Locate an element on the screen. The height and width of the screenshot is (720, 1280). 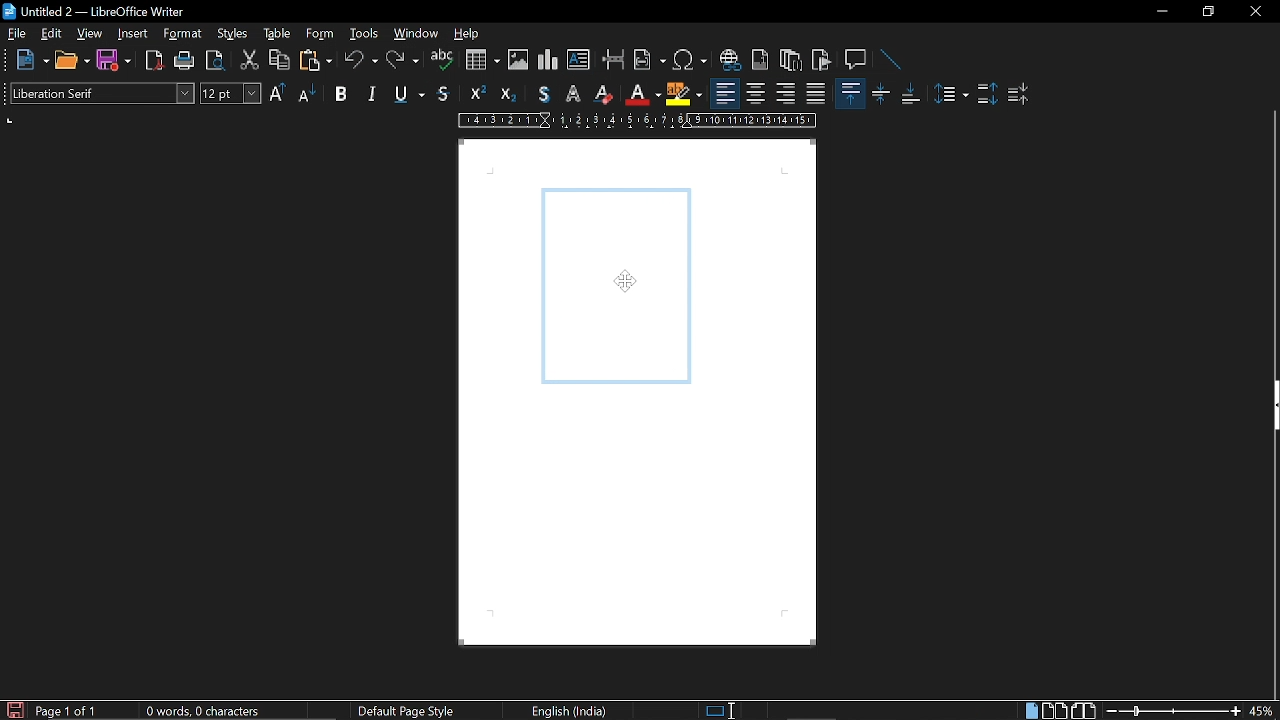
Eraser is located at coordinates (603, 95).